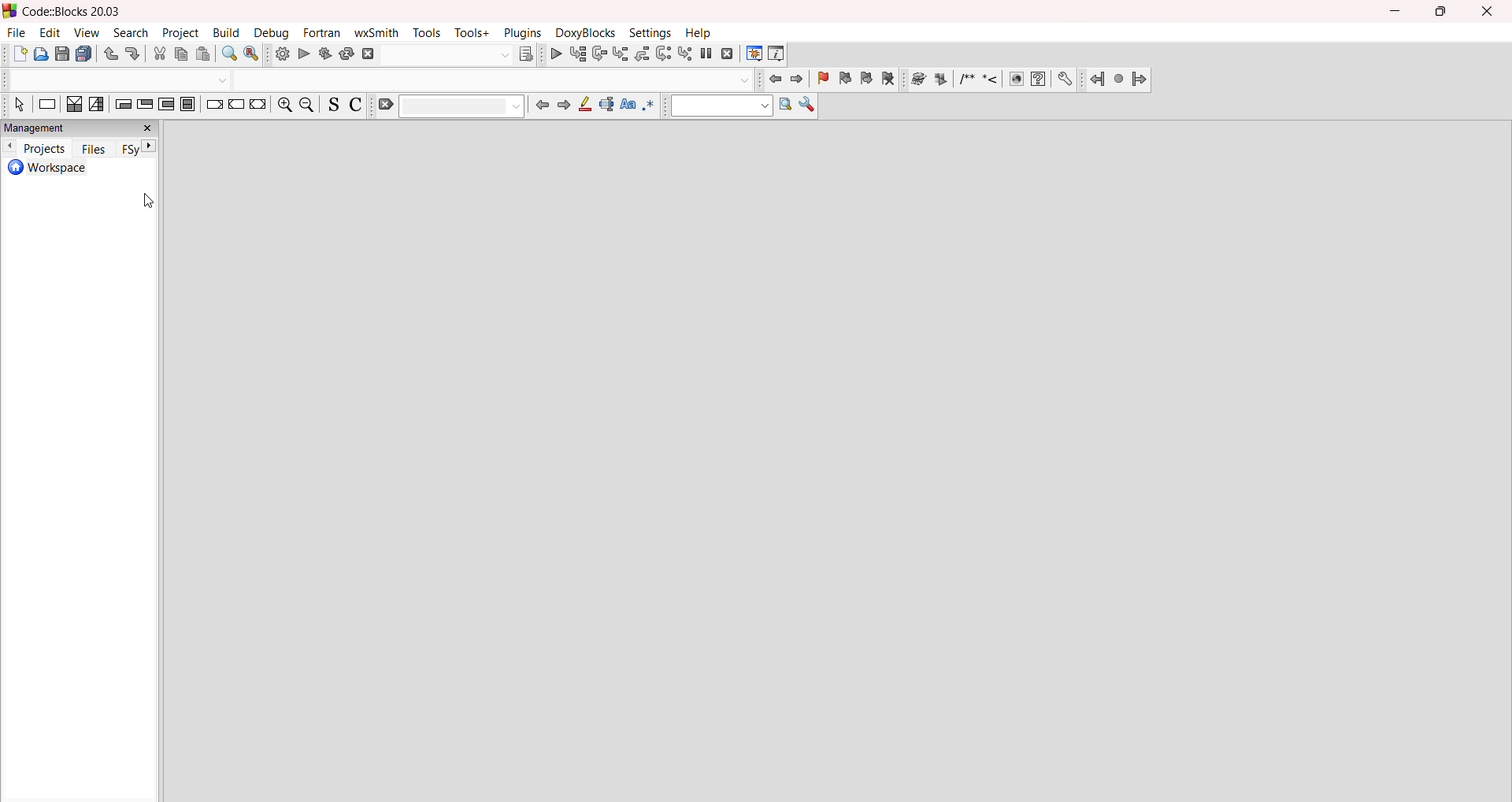  I want to click on HTML, so click(1015, 80).